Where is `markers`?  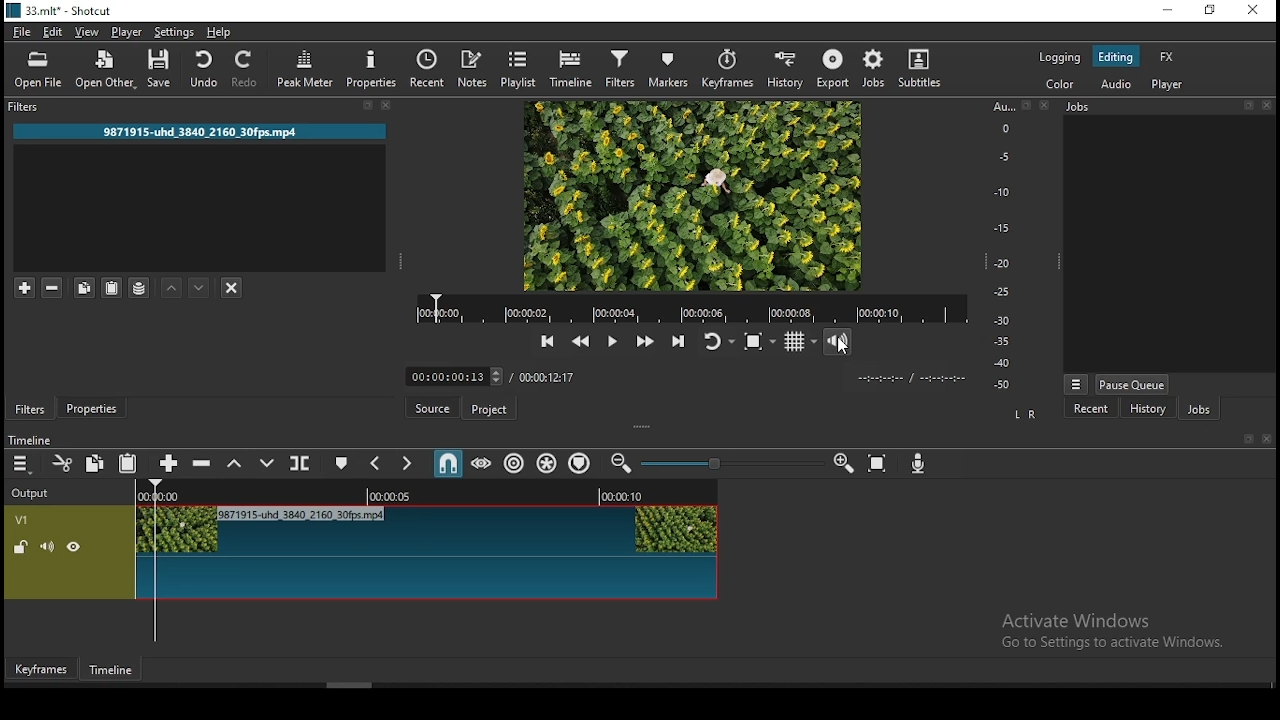
markers is located at coordinates (667, 68).